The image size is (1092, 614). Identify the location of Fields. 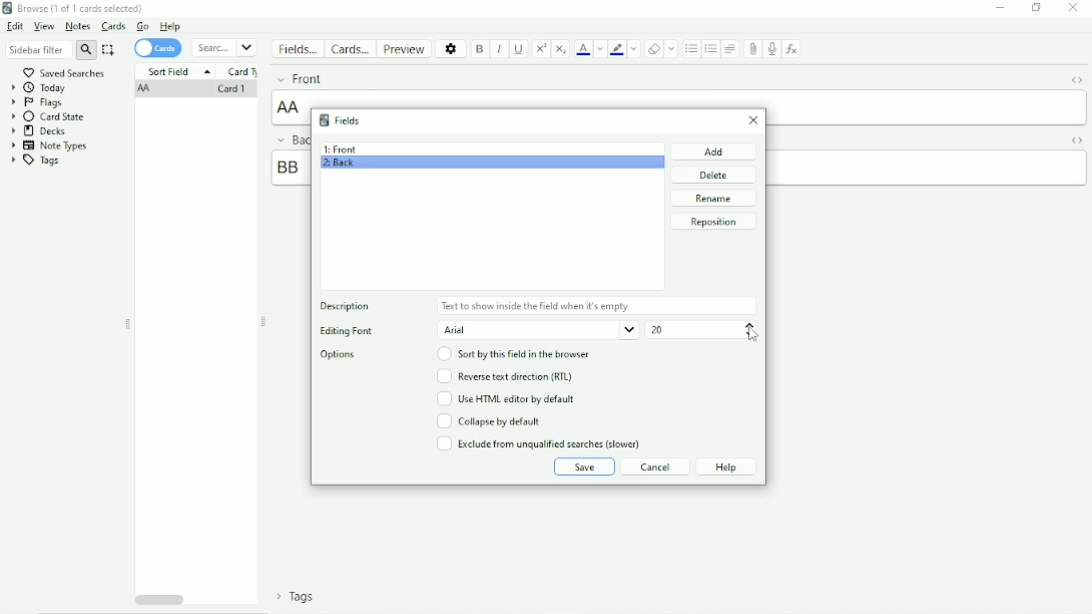
(339, 120).